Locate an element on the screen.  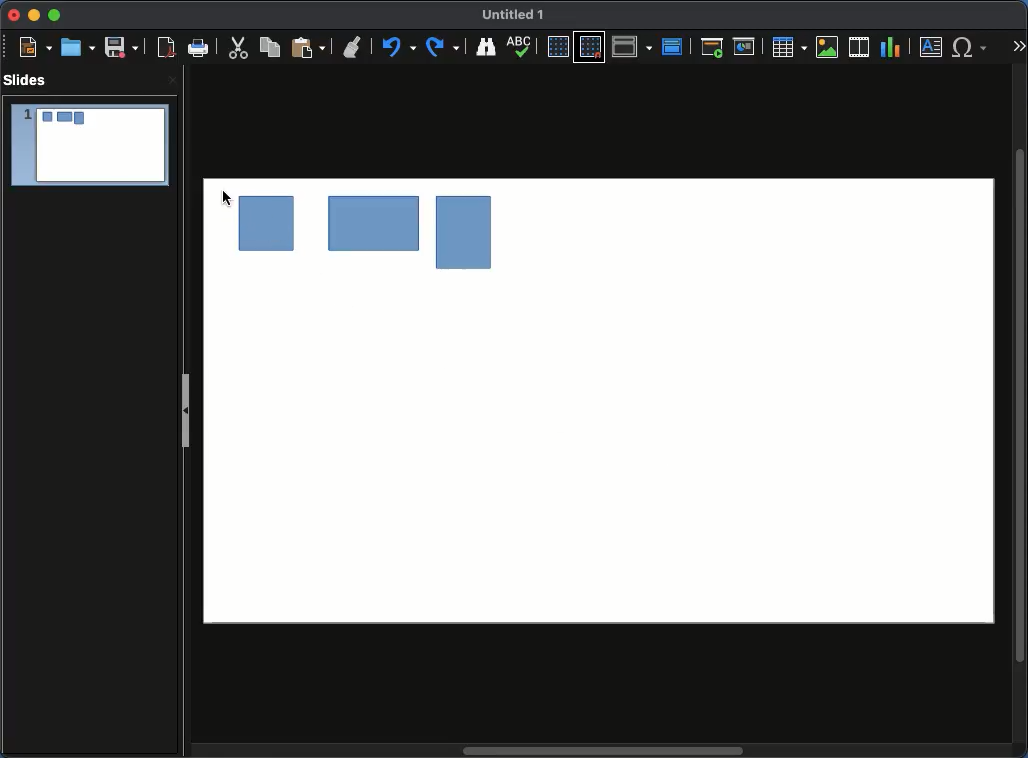
Redo is located at coordinates (445, 47).